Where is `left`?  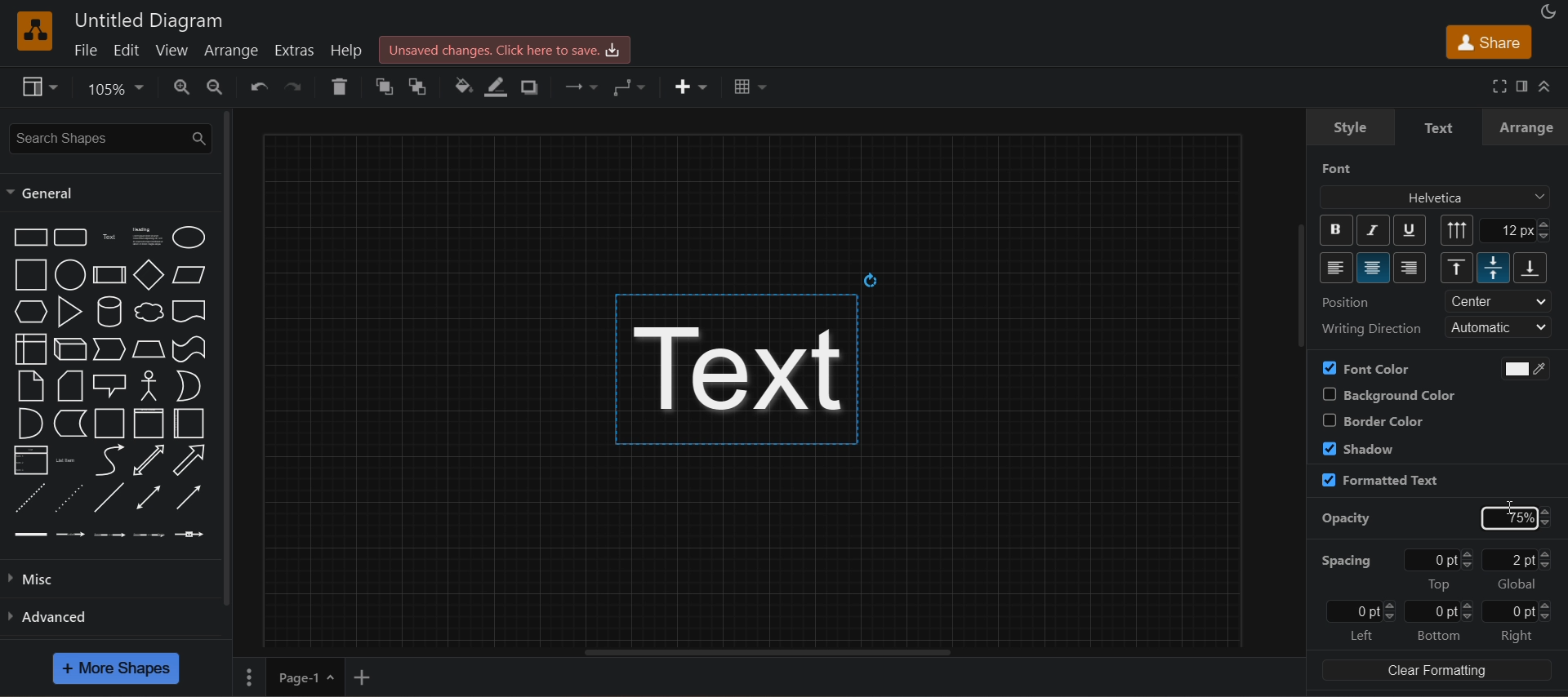
left is located at coordinates (1361, 636).